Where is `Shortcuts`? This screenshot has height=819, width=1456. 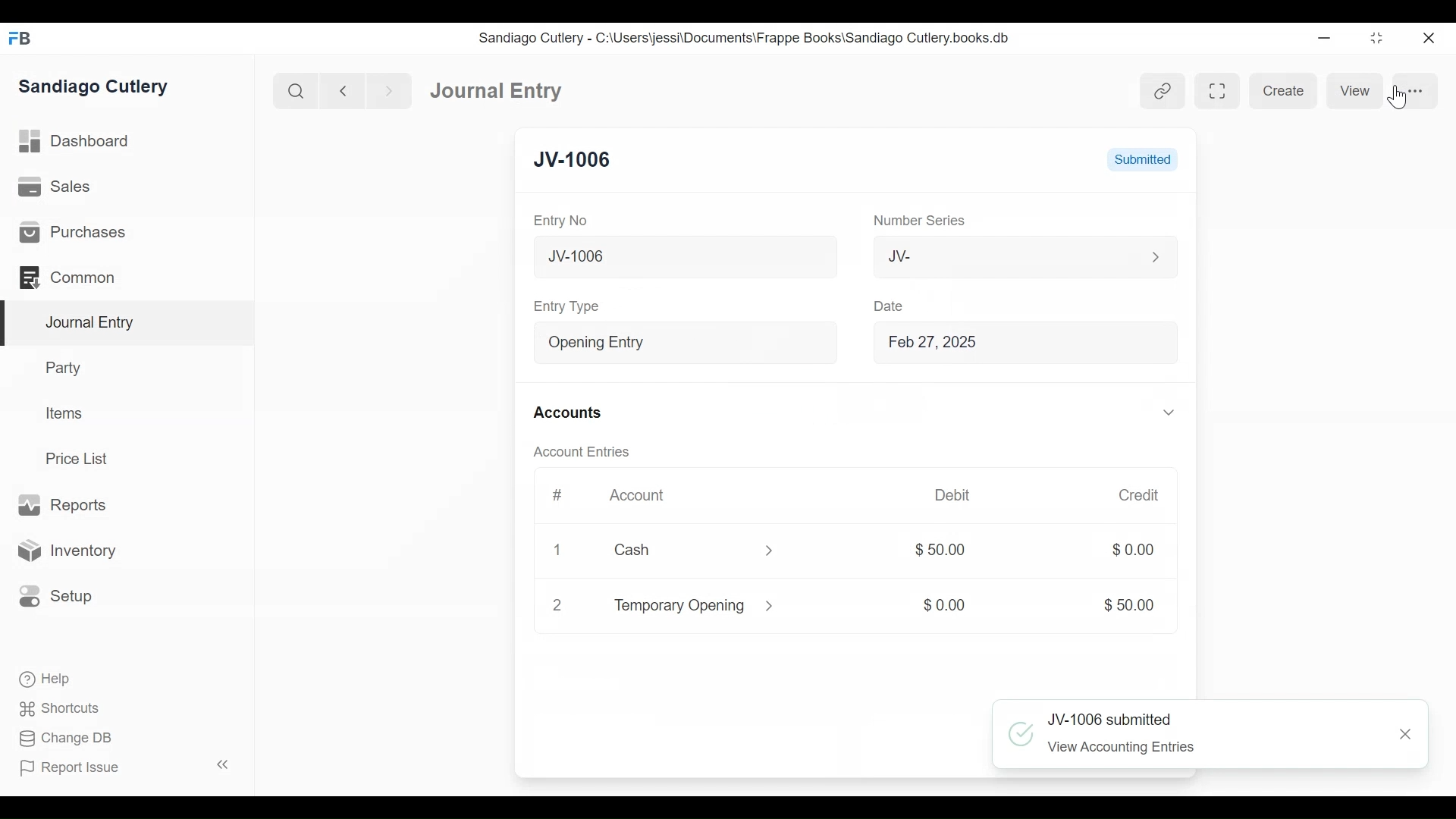
Shortcuts is located at coordinates (61, 711).